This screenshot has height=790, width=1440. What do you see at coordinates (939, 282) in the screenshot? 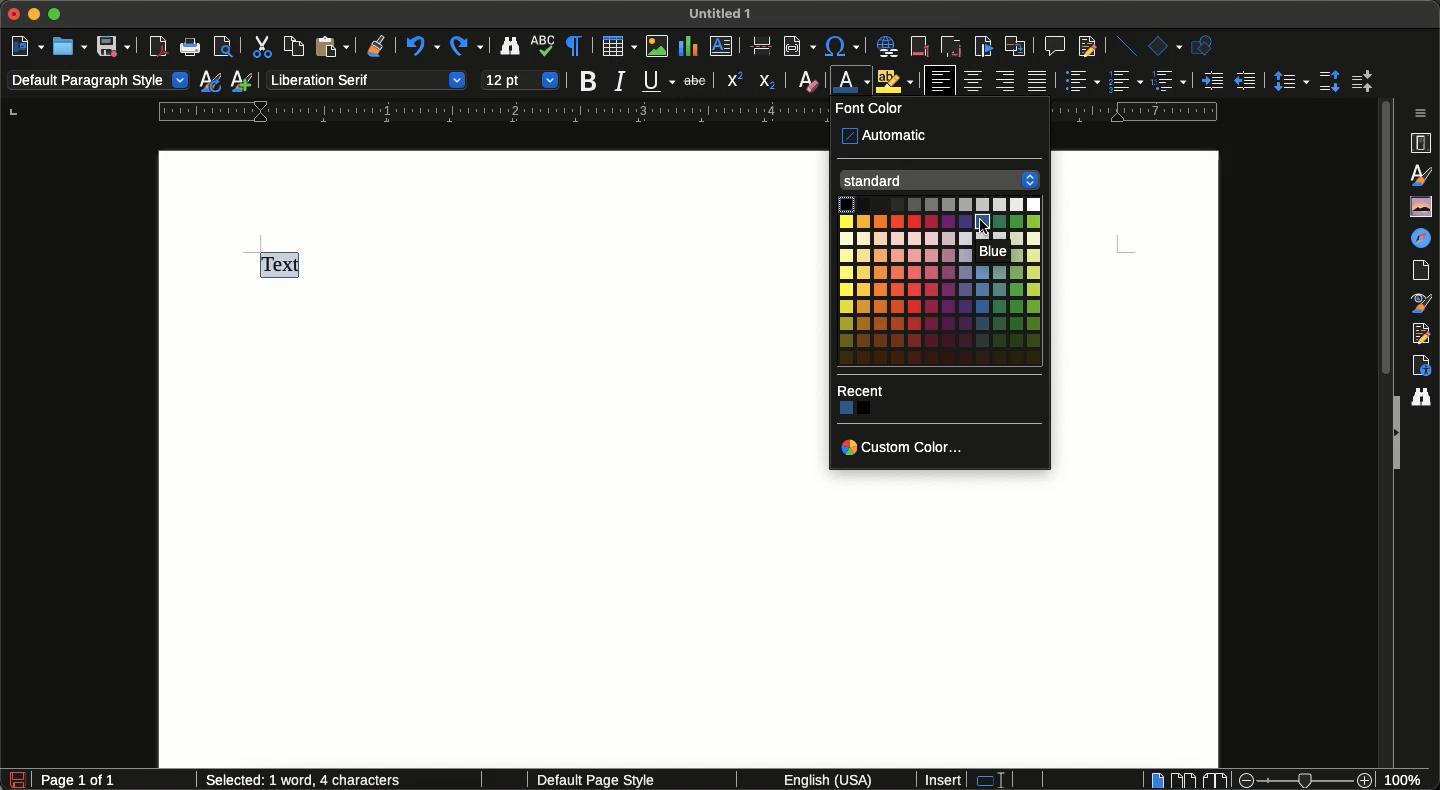
I see `Color's` at bounding box center [939, 282].